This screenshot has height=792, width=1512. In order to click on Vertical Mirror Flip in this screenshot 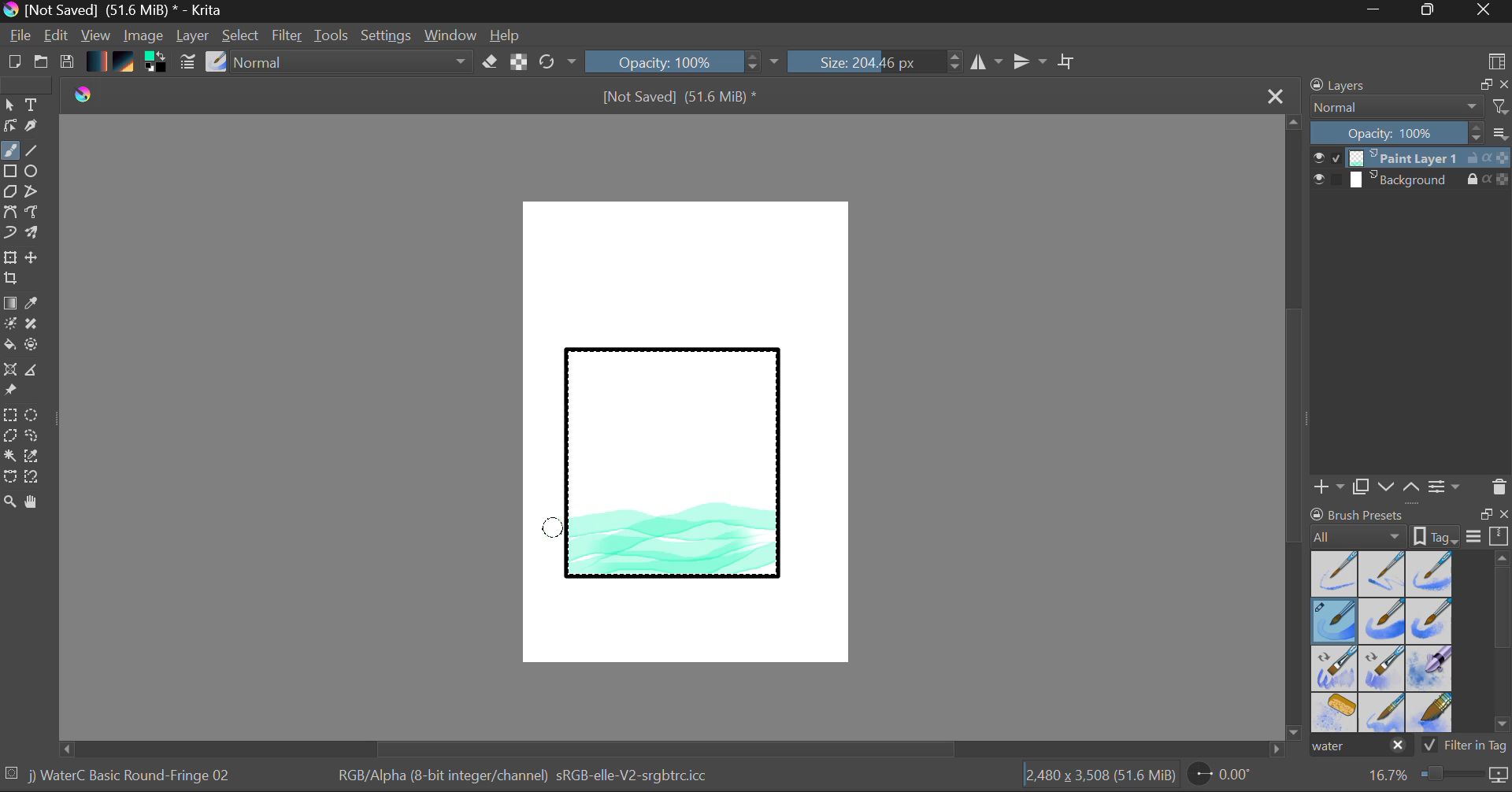, I will do `click(986, 62)`.